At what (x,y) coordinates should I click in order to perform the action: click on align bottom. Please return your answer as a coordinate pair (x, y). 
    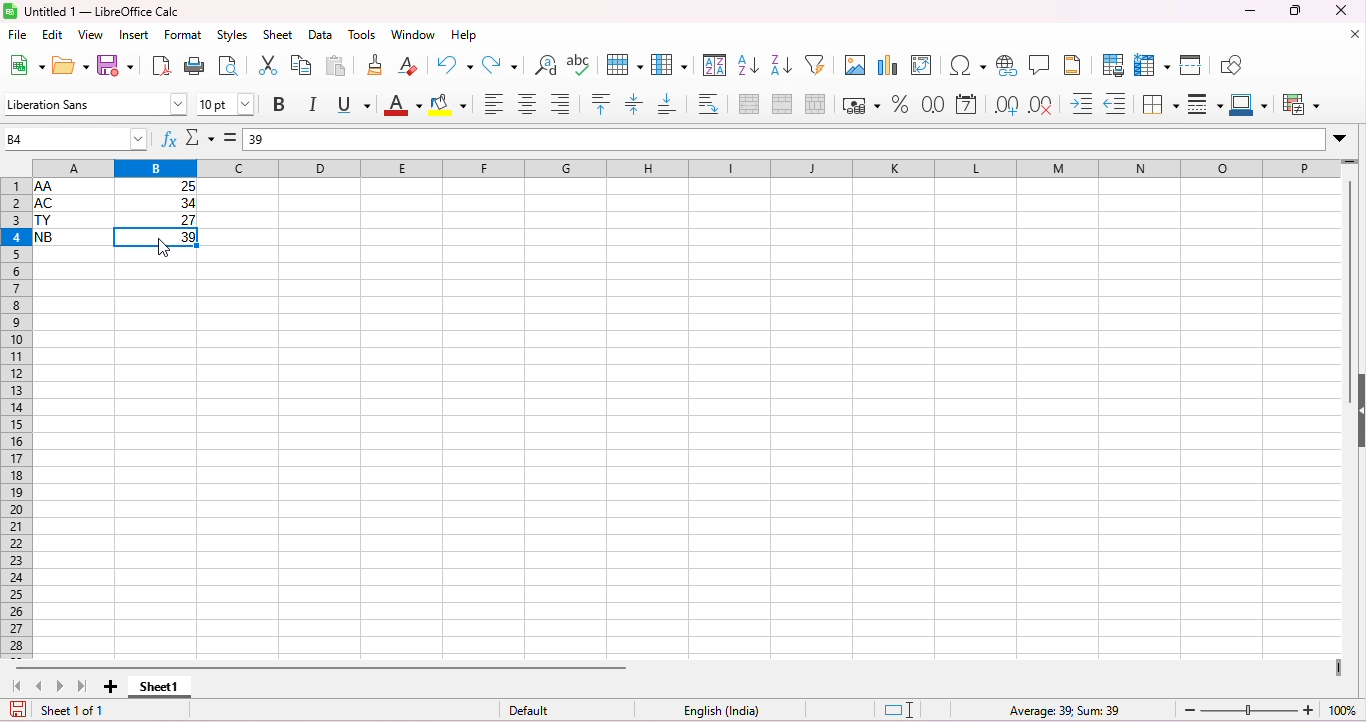
    Looking at the image, I should click on (560, 103).